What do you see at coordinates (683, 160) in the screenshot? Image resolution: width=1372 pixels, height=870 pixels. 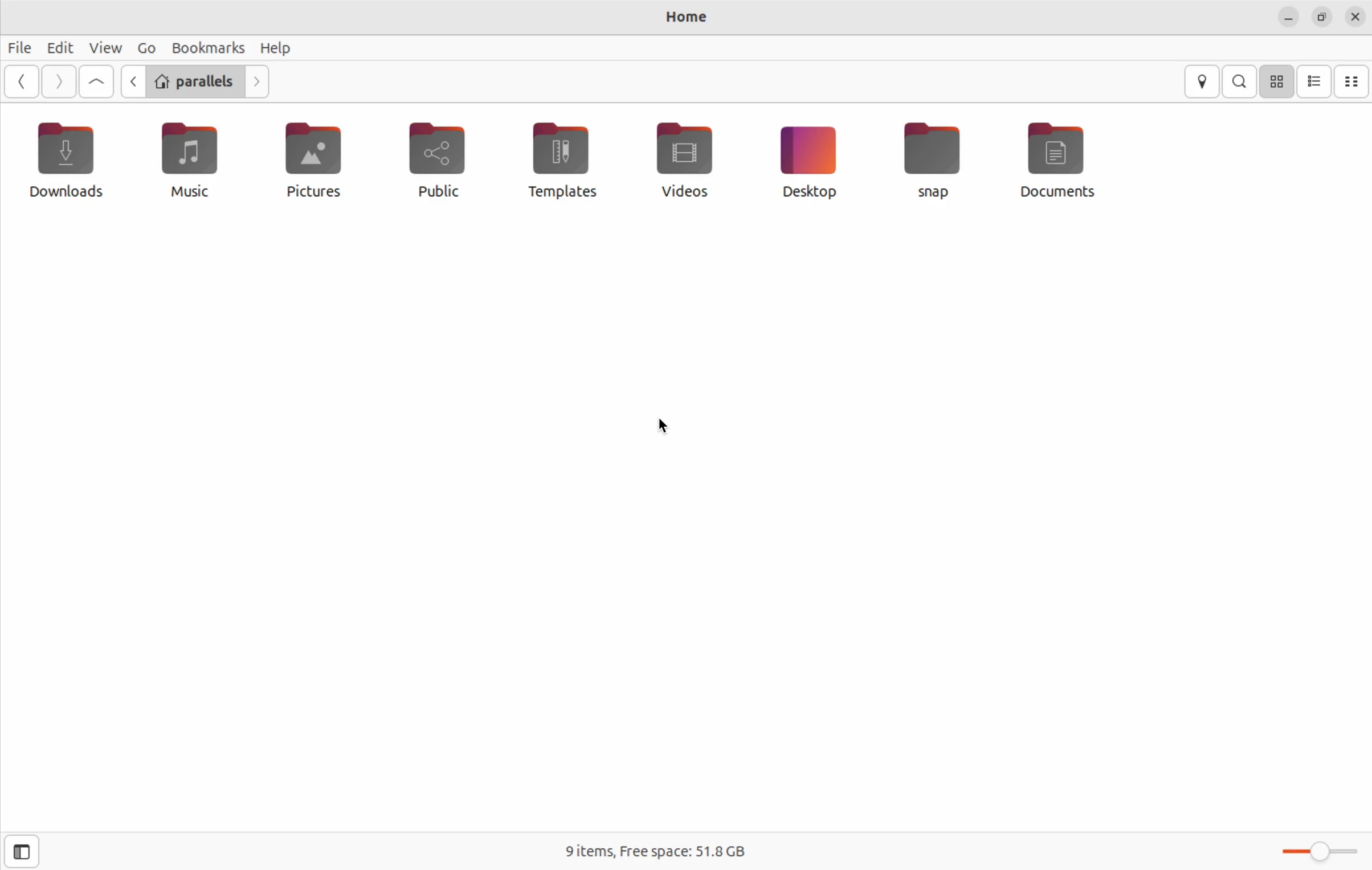 I see `video file` at bounding box center [683, 160].